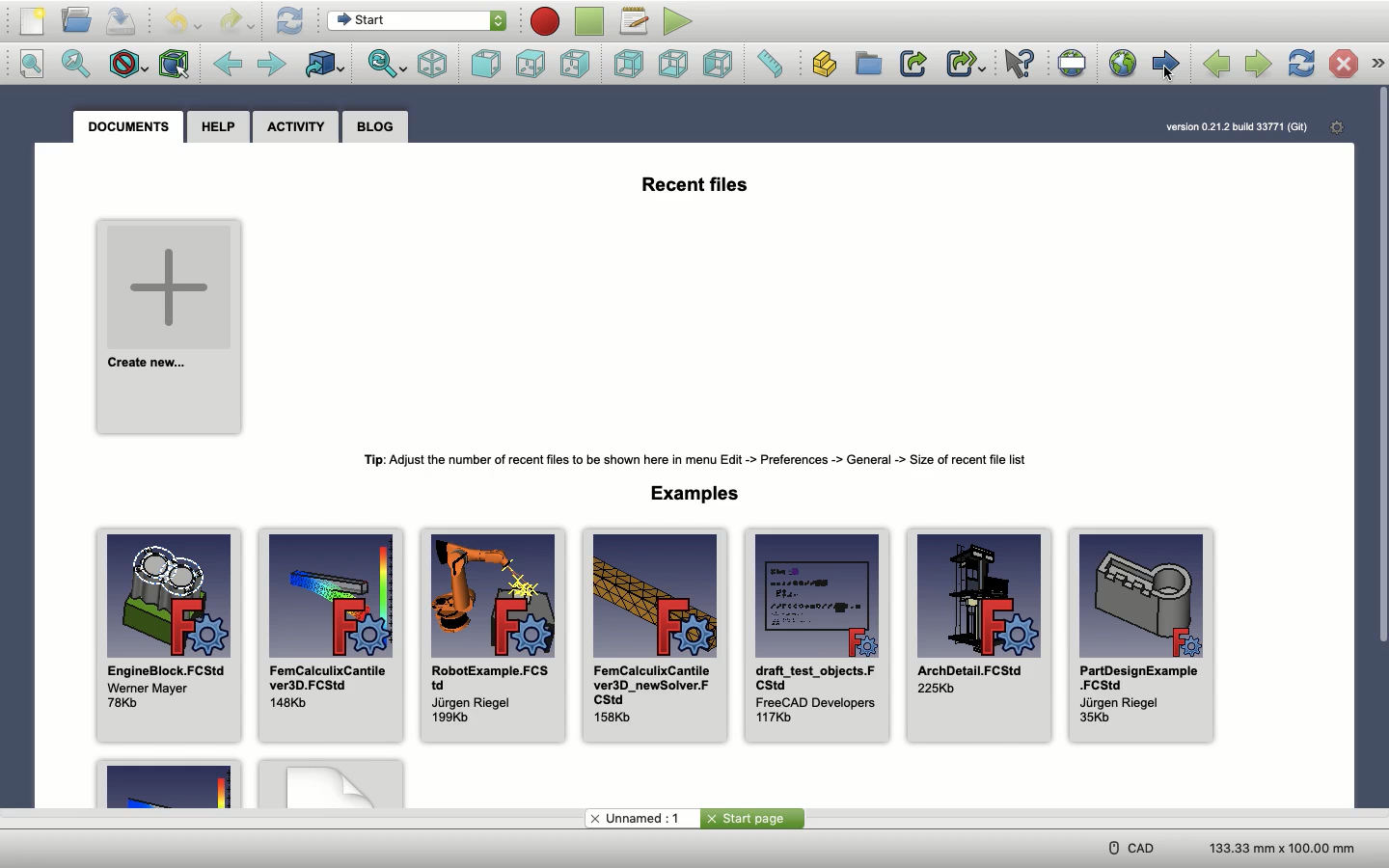  What do you see at coordinates (547, 21) in the screenshot?
I see `Macro recording` at bounding box center [547, 21].